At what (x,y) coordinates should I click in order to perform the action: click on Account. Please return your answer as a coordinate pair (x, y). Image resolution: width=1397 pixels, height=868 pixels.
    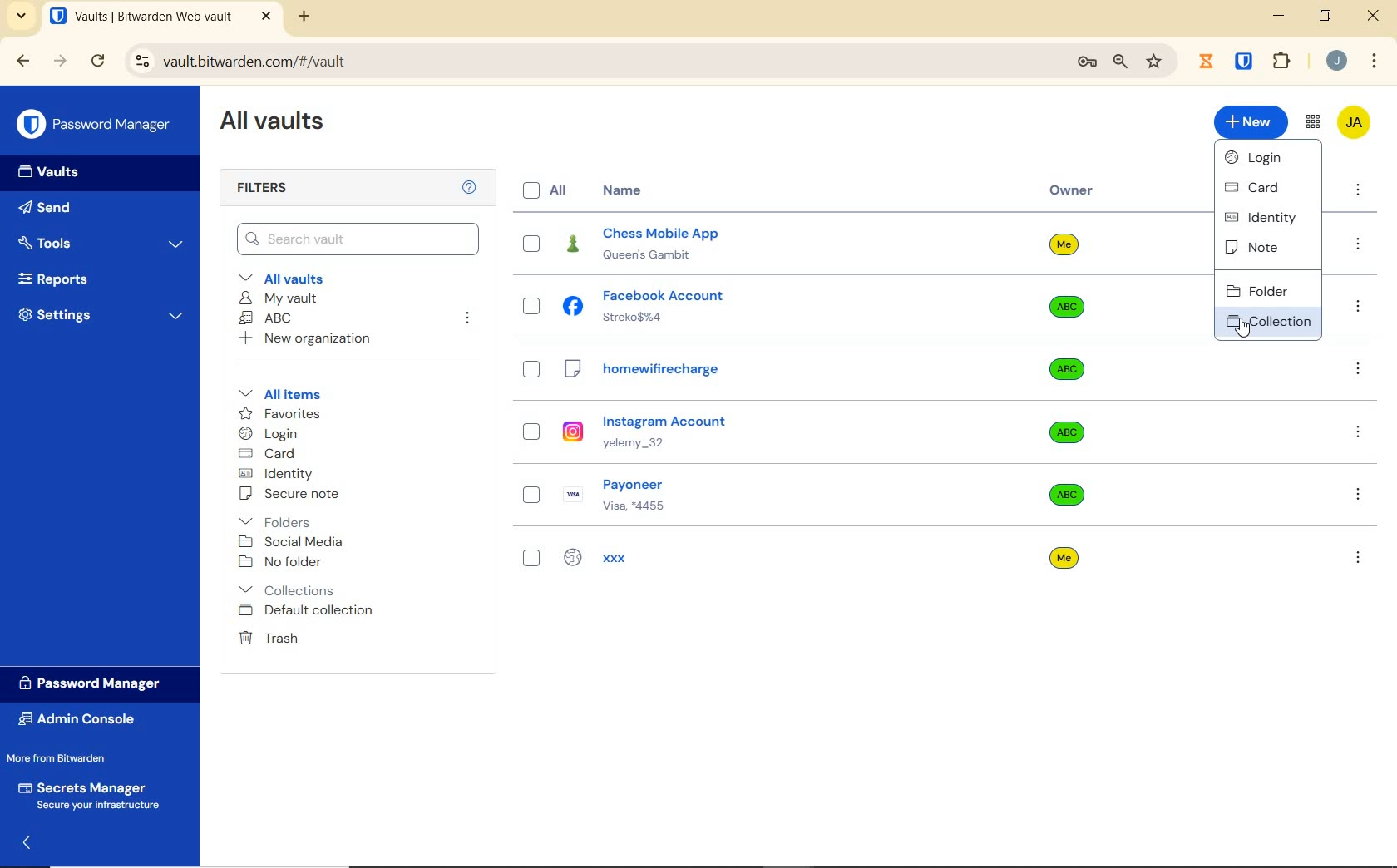
    Looking at the image, I should click on (1336, 62).